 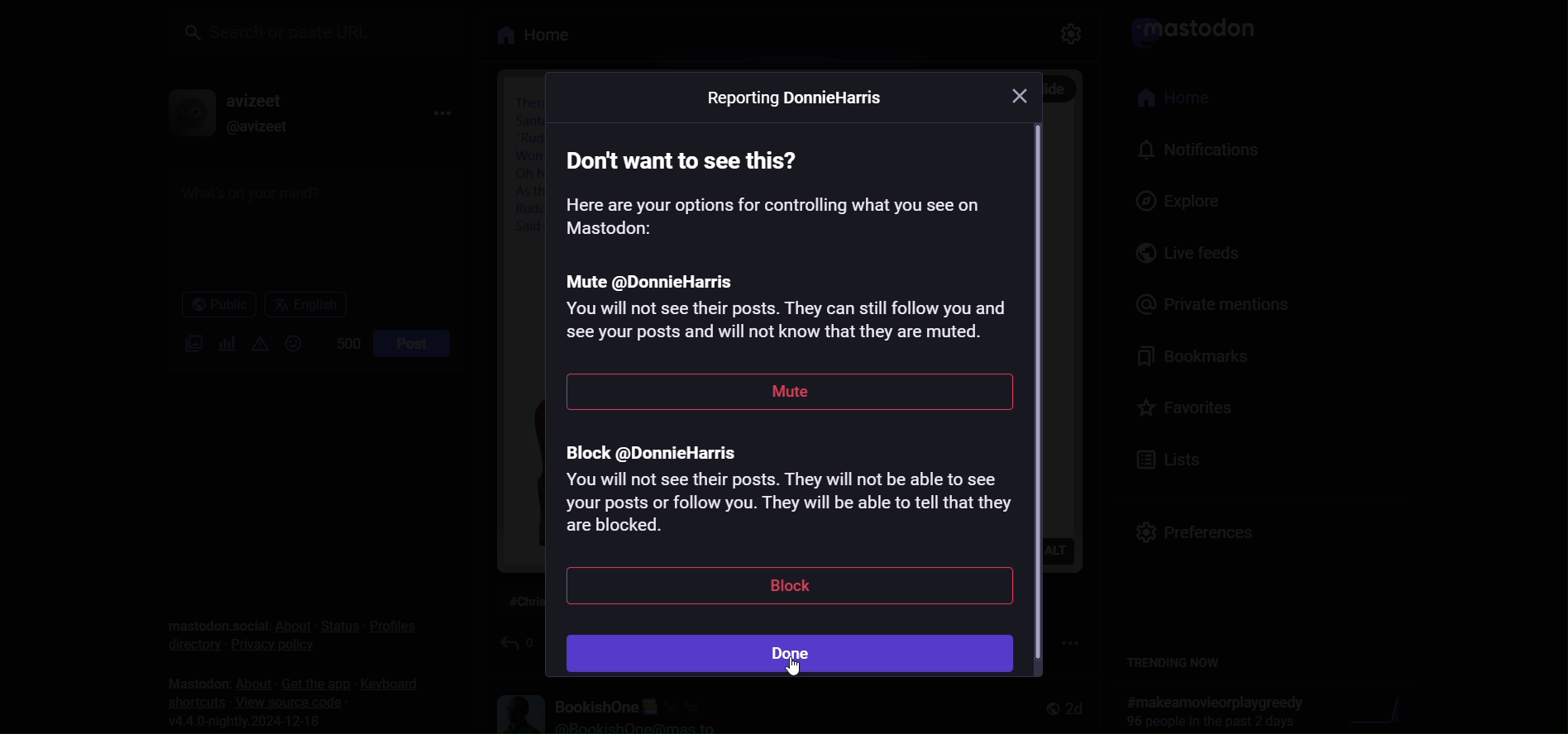 What do you see at coordinates (786, 243) in the screenshot?
I see `Don't want to see this?

Here are your options for controlling what you see on
Mastodon:

Mute @DonnieHarris

You will not see their posts. They can still follow you and
see your posts and will not know that they are muted.` at bounding box center [786, 243].